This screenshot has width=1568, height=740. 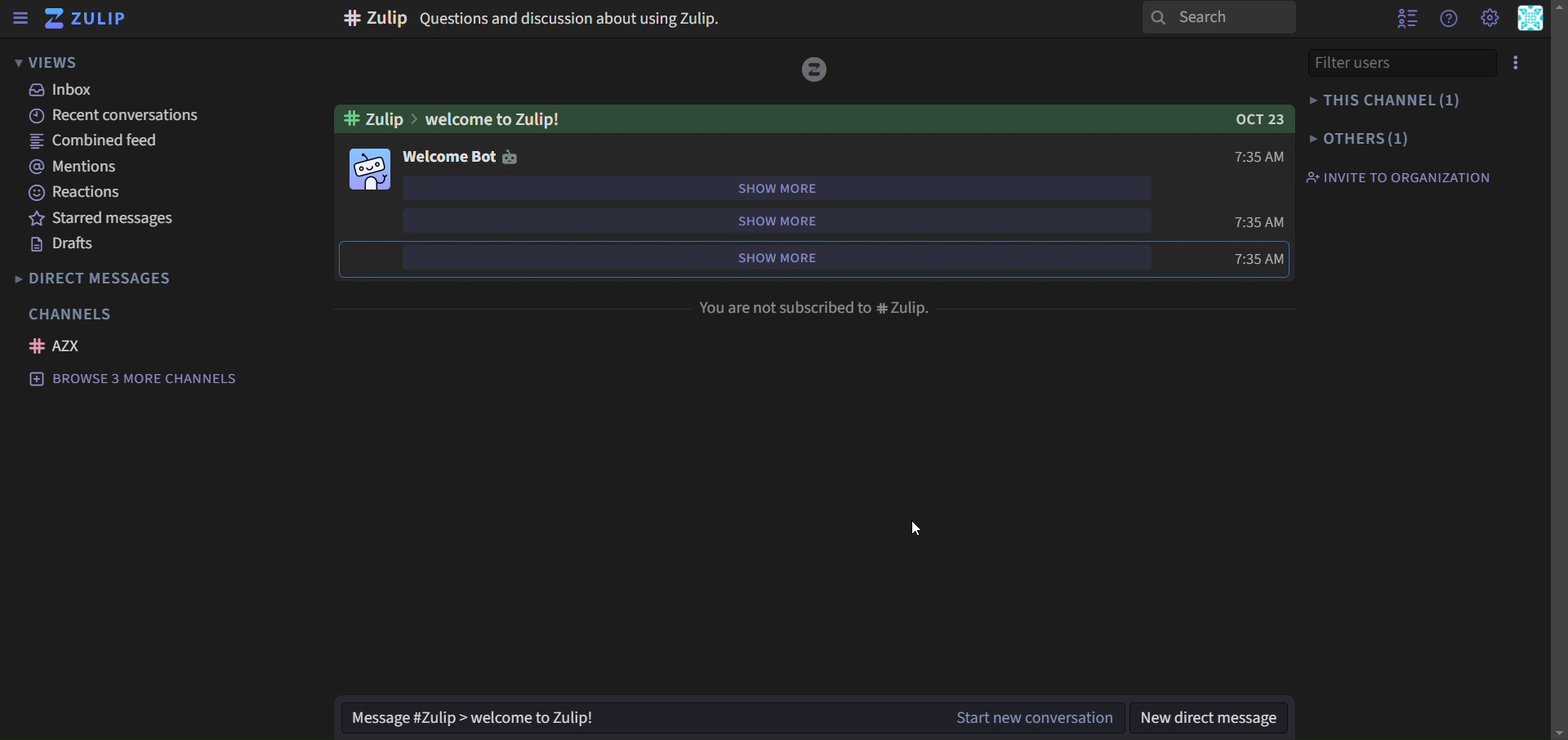 What do you see at coordinates (1228, 257) in the screenshot?
I see `7:35 am` at bounding box center [1228, 257].